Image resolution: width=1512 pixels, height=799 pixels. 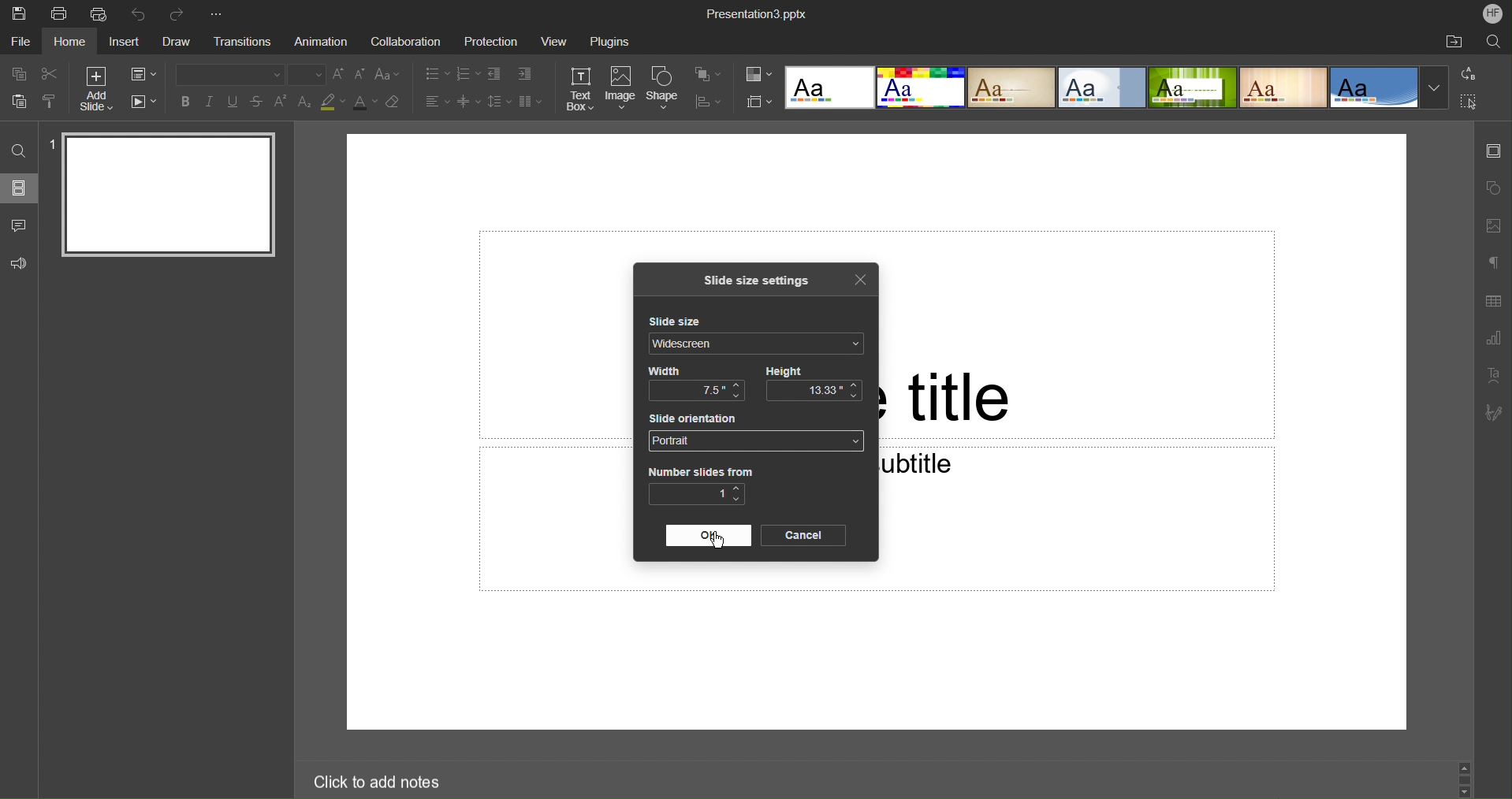 I want to click on Shape Settings, so click(x=1493, y=187).